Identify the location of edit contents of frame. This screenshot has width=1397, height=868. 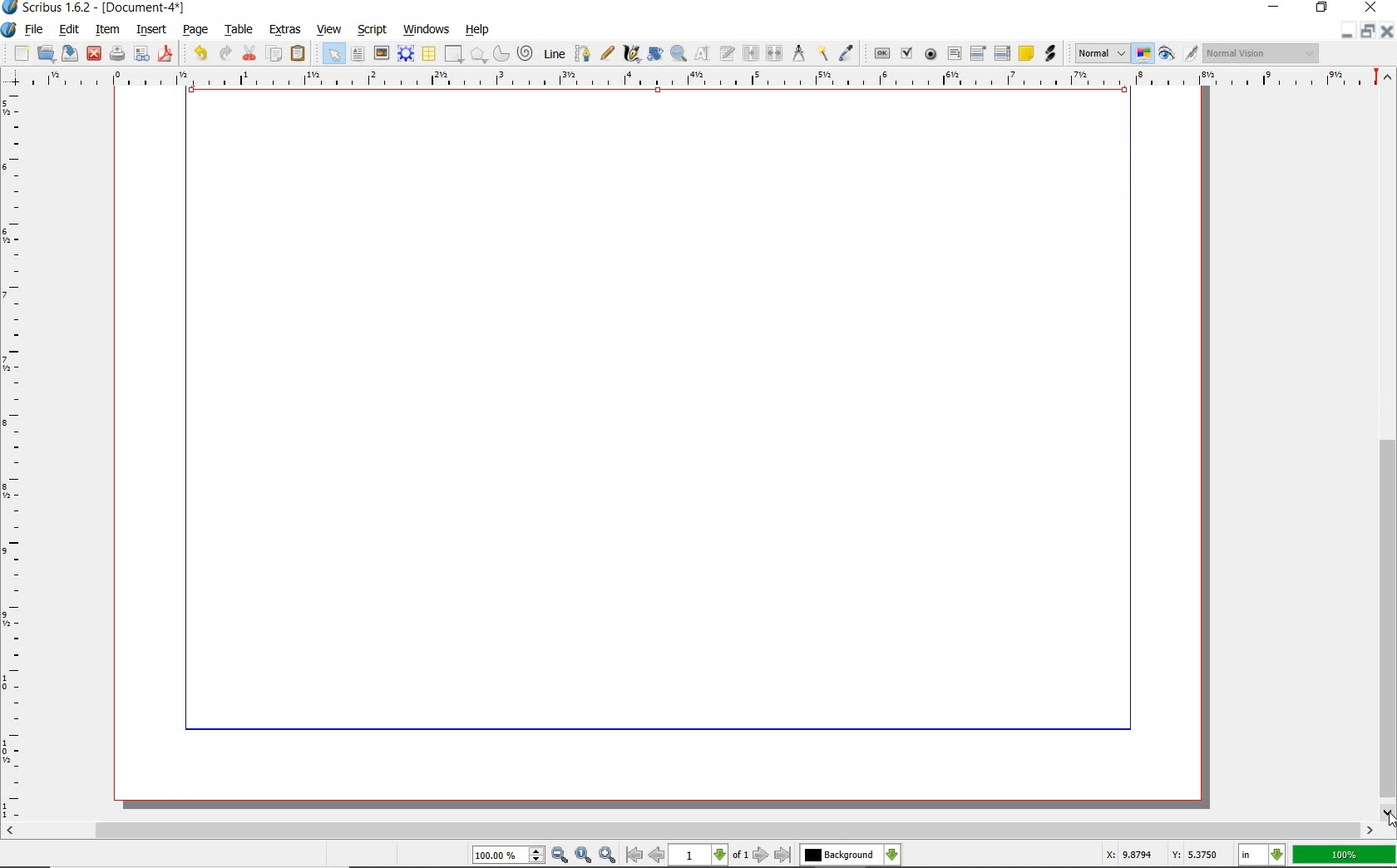
(701, 53).